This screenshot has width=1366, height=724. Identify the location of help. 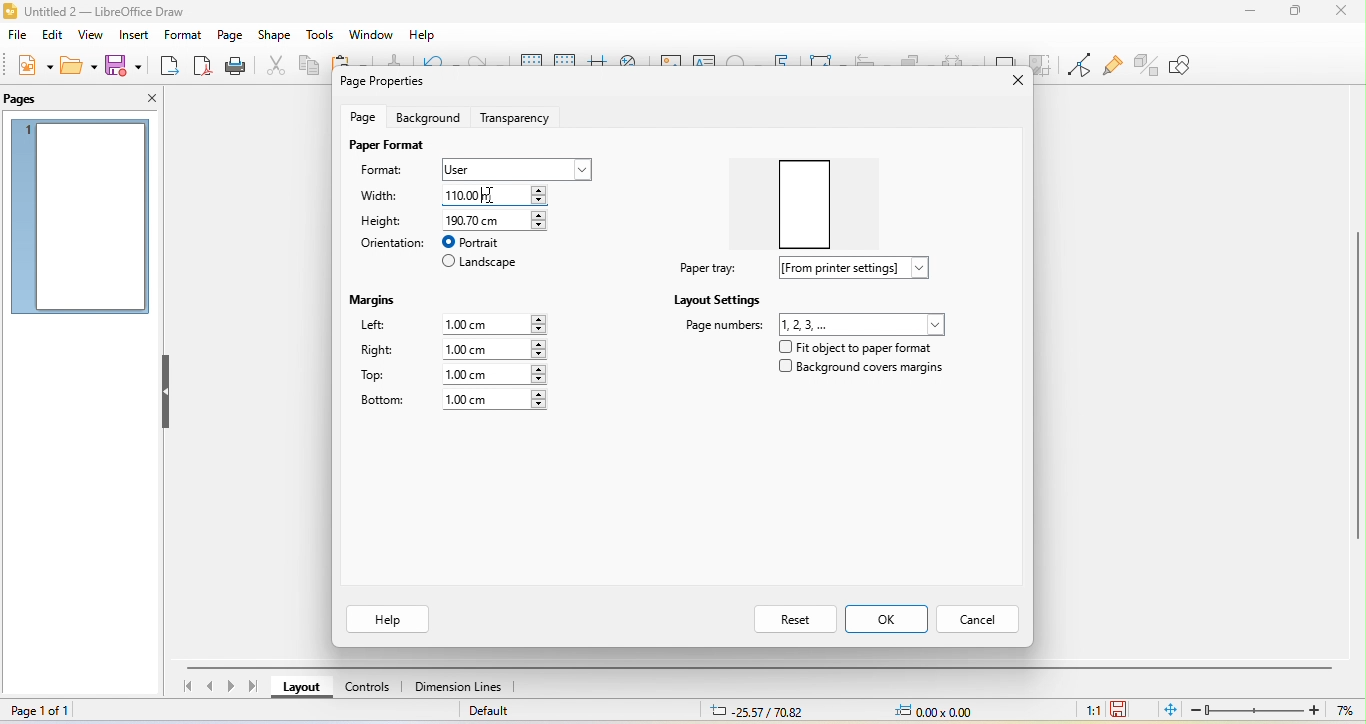
(420, 36).